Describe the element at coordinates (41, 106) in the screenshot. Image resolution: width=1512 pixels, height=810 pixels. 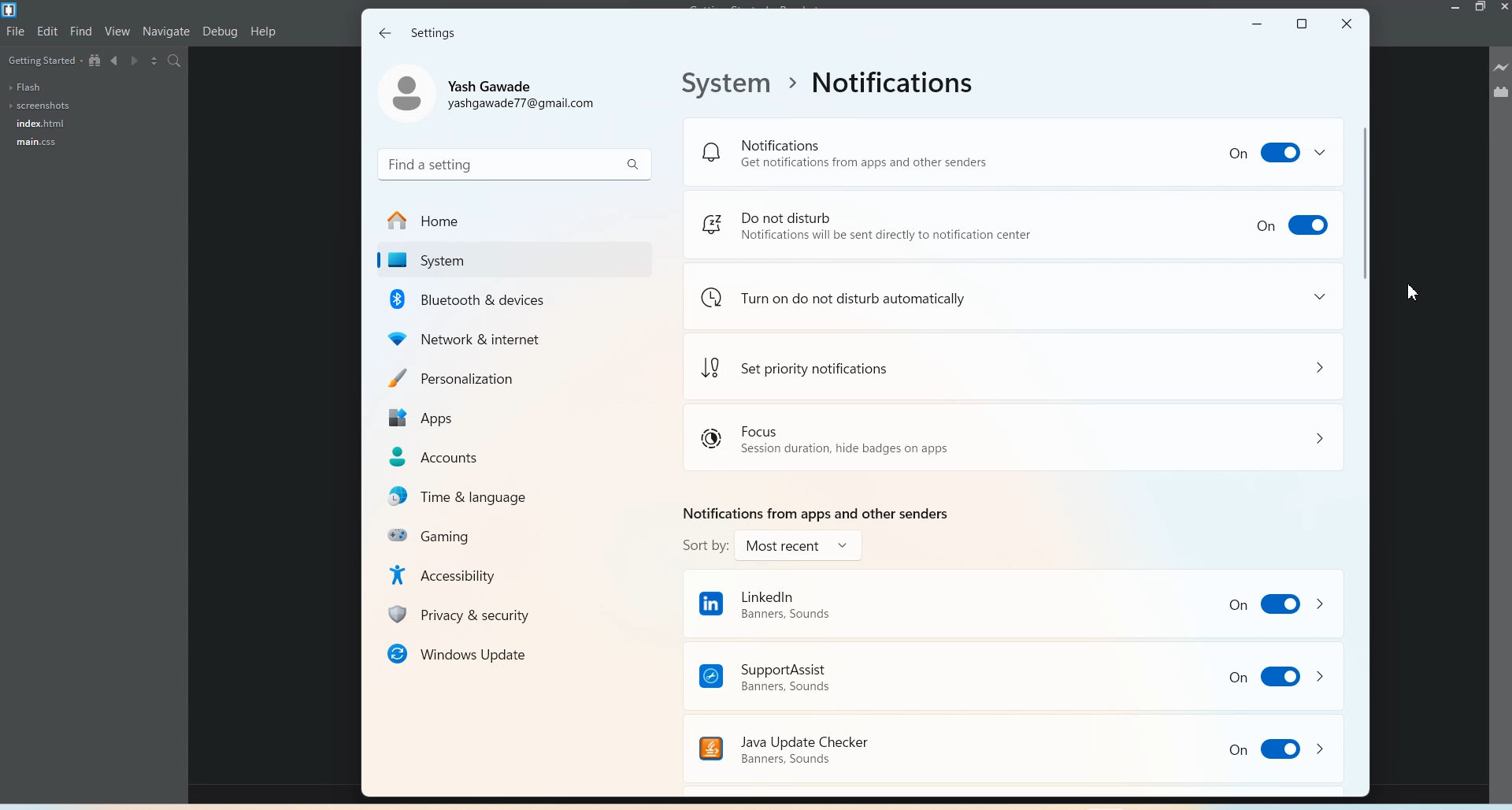
I see `Screenshots` at that location.